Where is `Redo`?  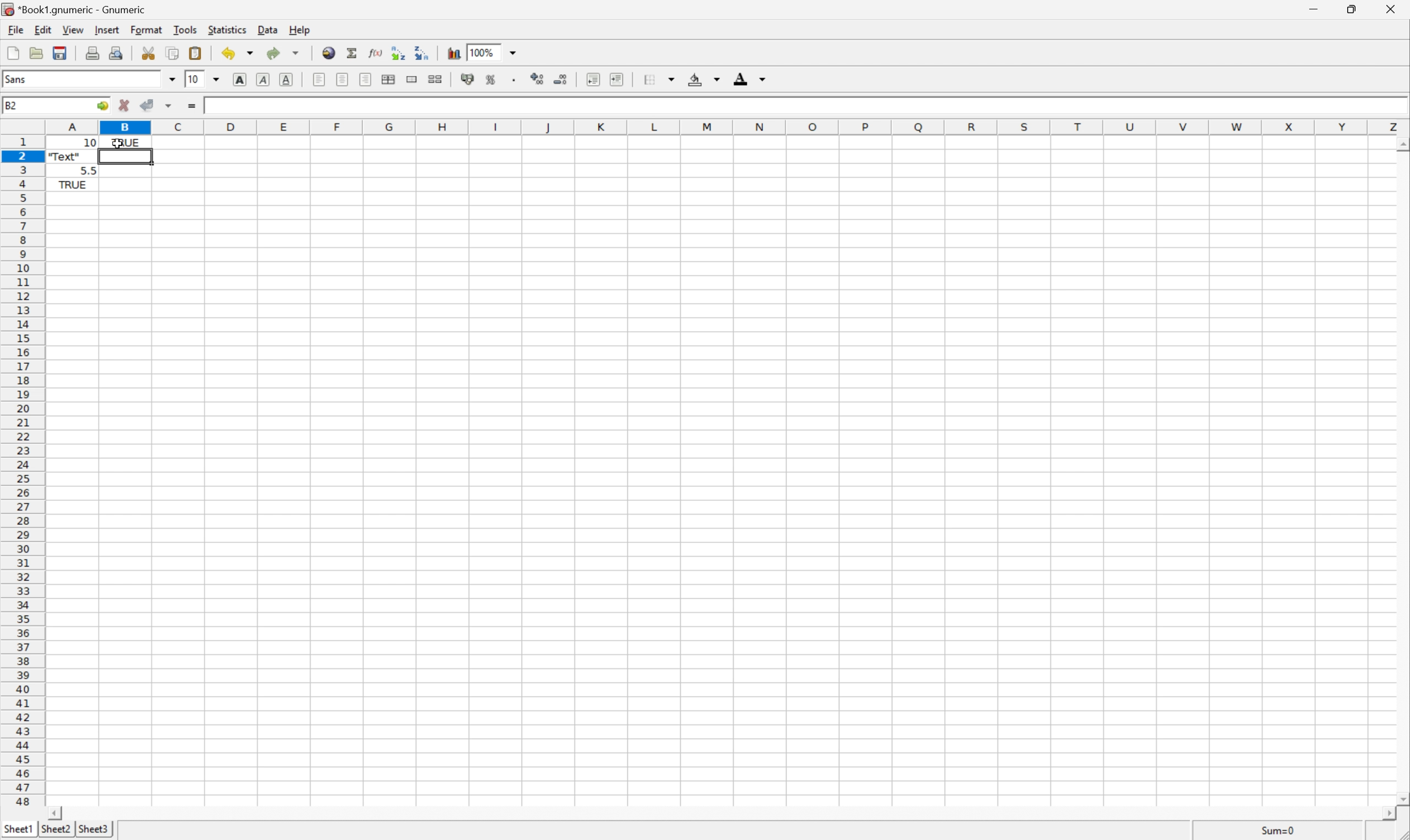 Redo is located at coordinates (284, 52).